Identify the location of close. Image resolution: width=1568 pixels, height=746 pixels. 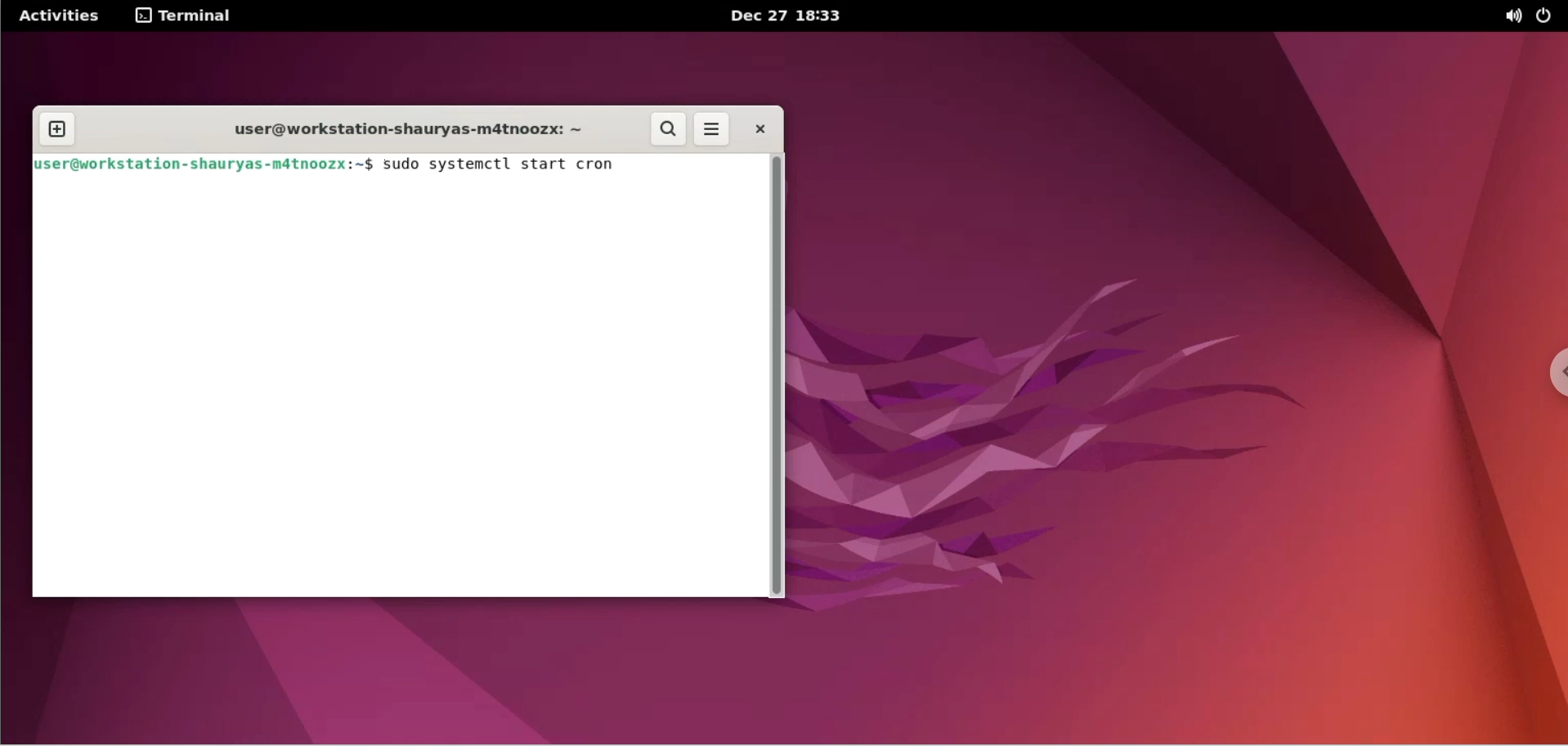
(758, 129).